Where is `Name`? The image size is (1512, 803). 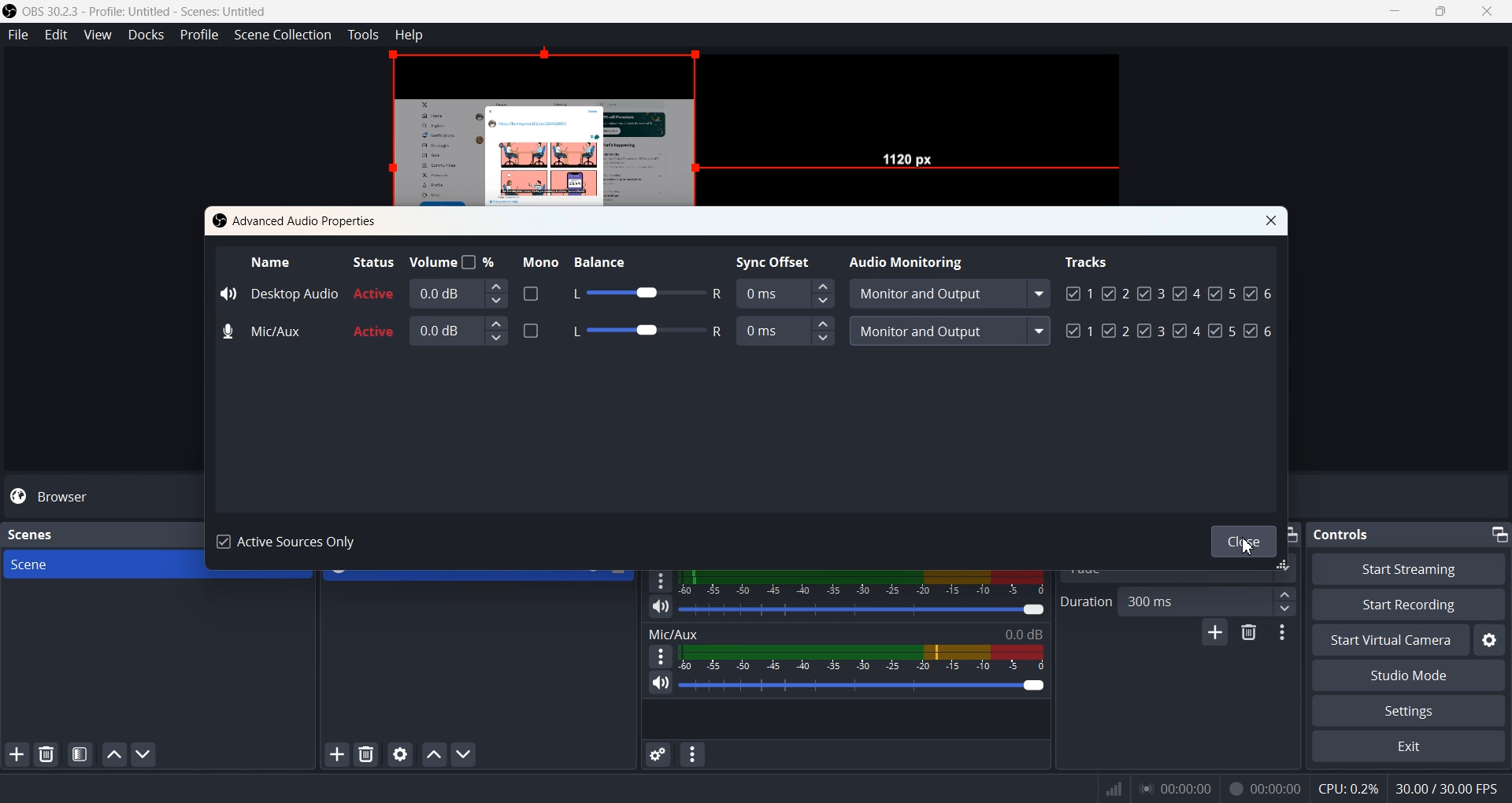
Name is located at coordinates (272, 261).